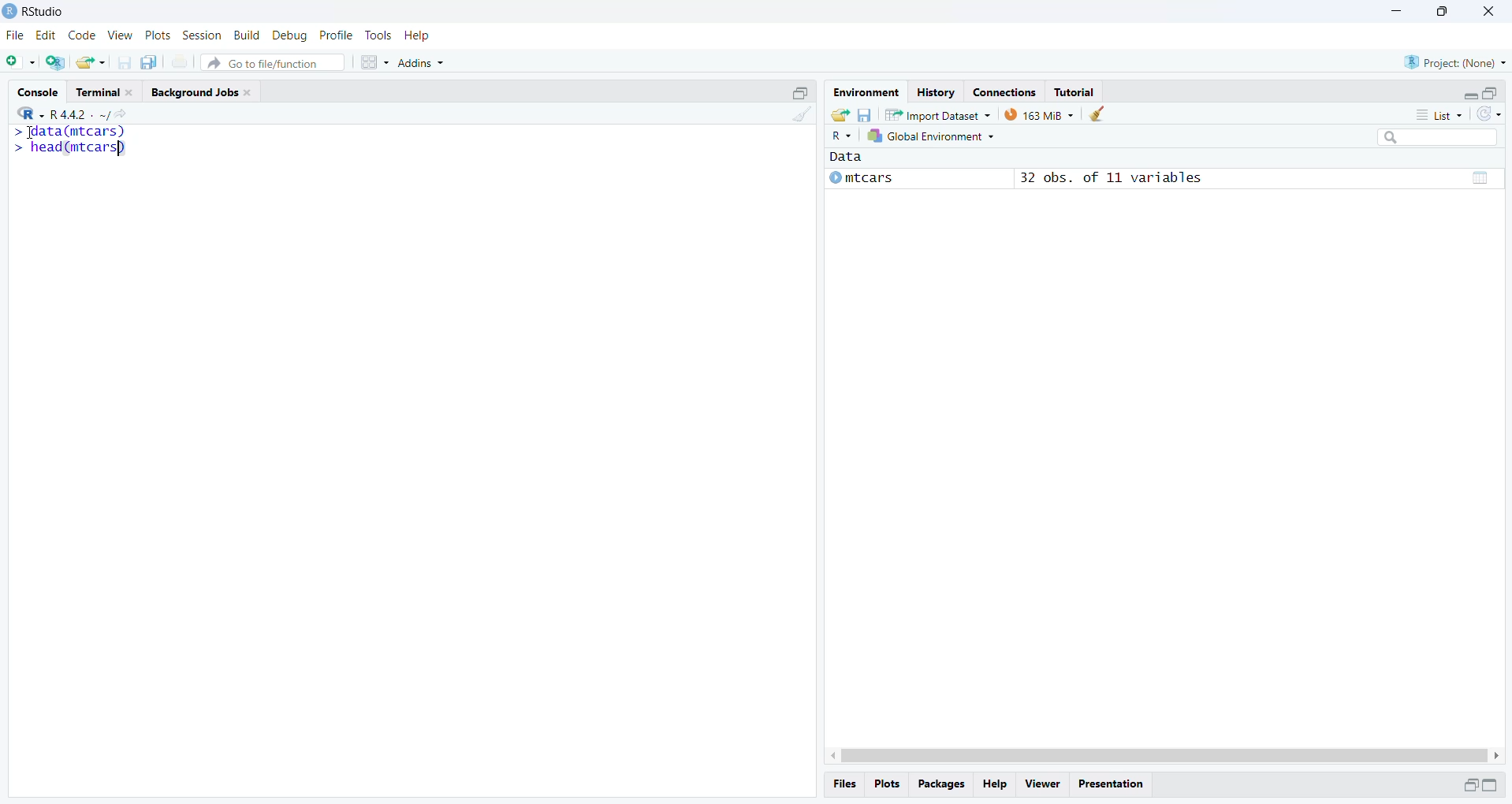  What do you see at coordinates (867, 93) in the screenshot?
I see `Environment` at bounding box center [867, 93].